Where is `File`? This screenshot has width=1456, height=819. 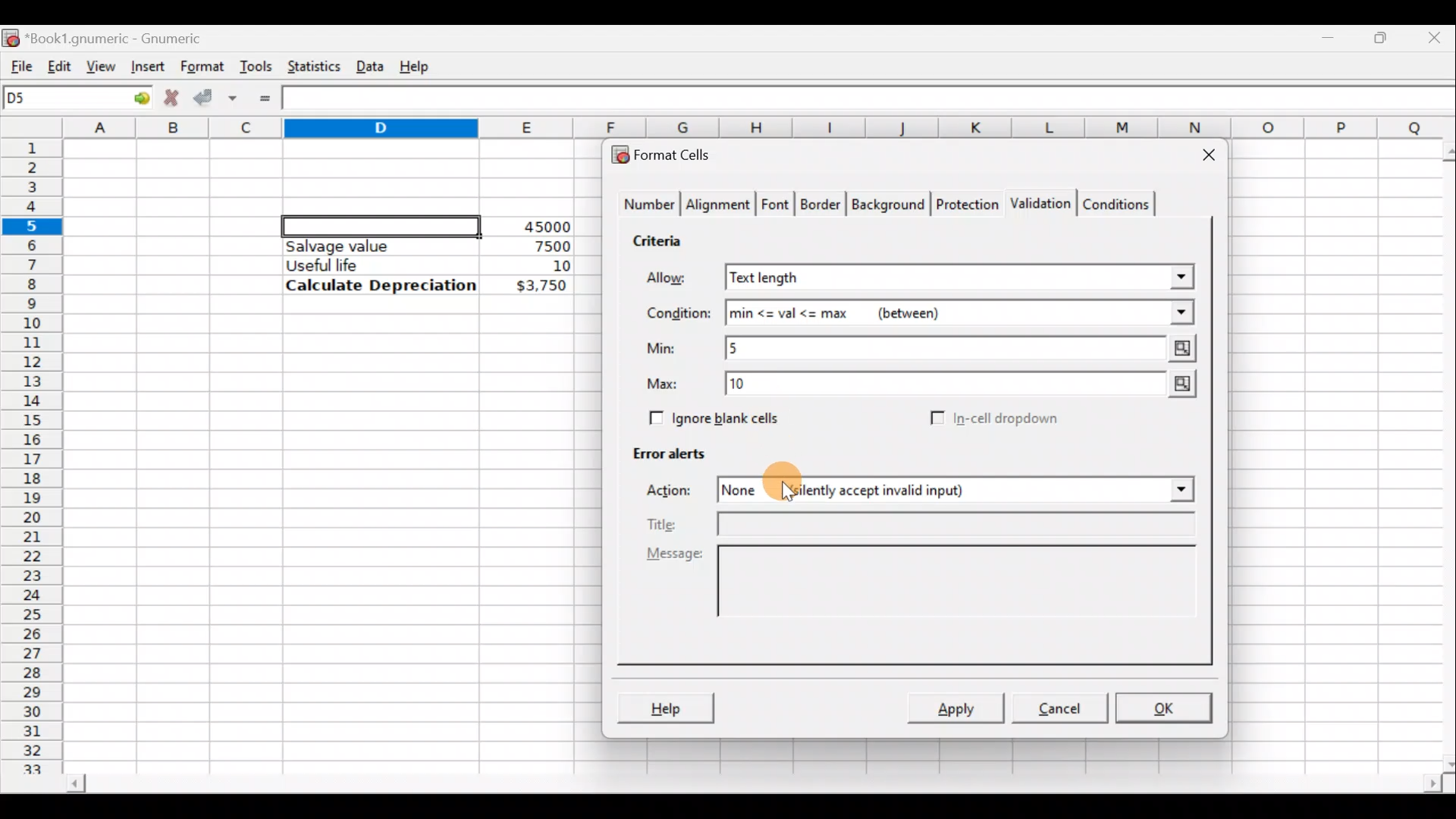
File is located at coordinates (17, 63).